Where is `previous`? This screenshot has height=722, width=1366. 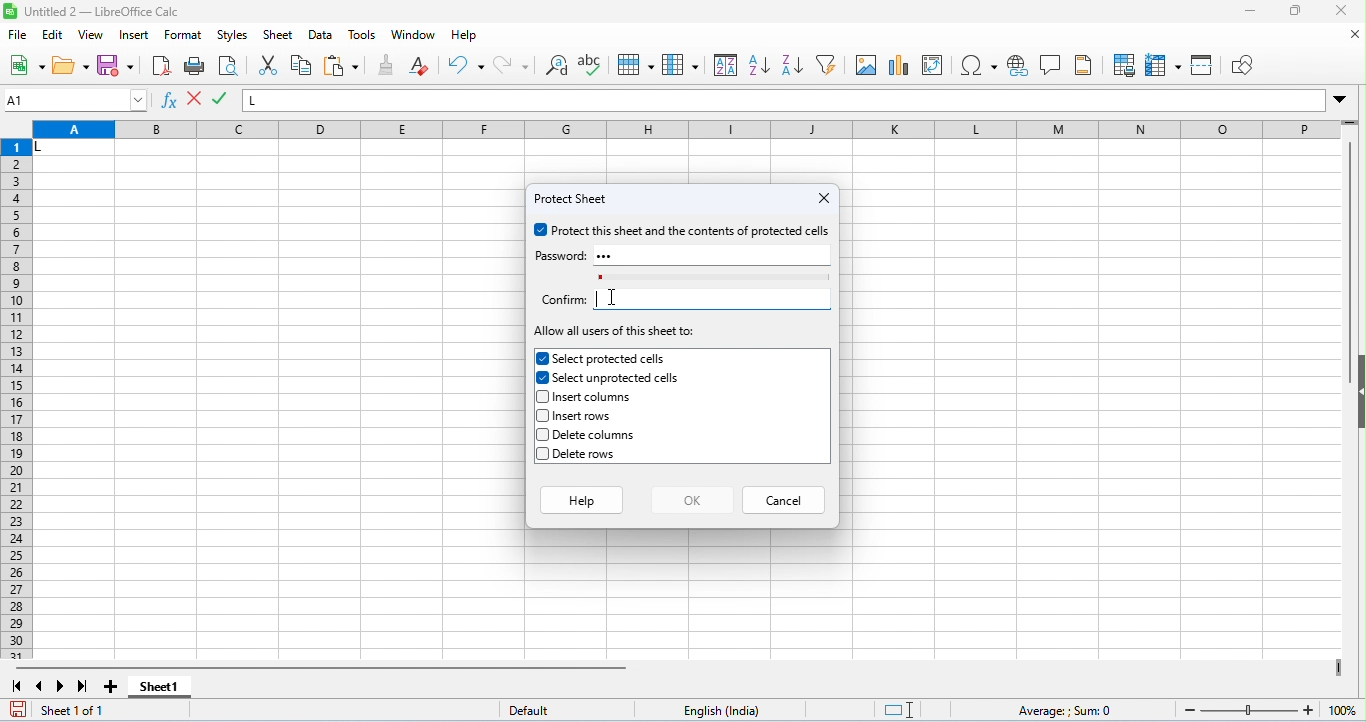
previous is located at coordinates (39, 686).